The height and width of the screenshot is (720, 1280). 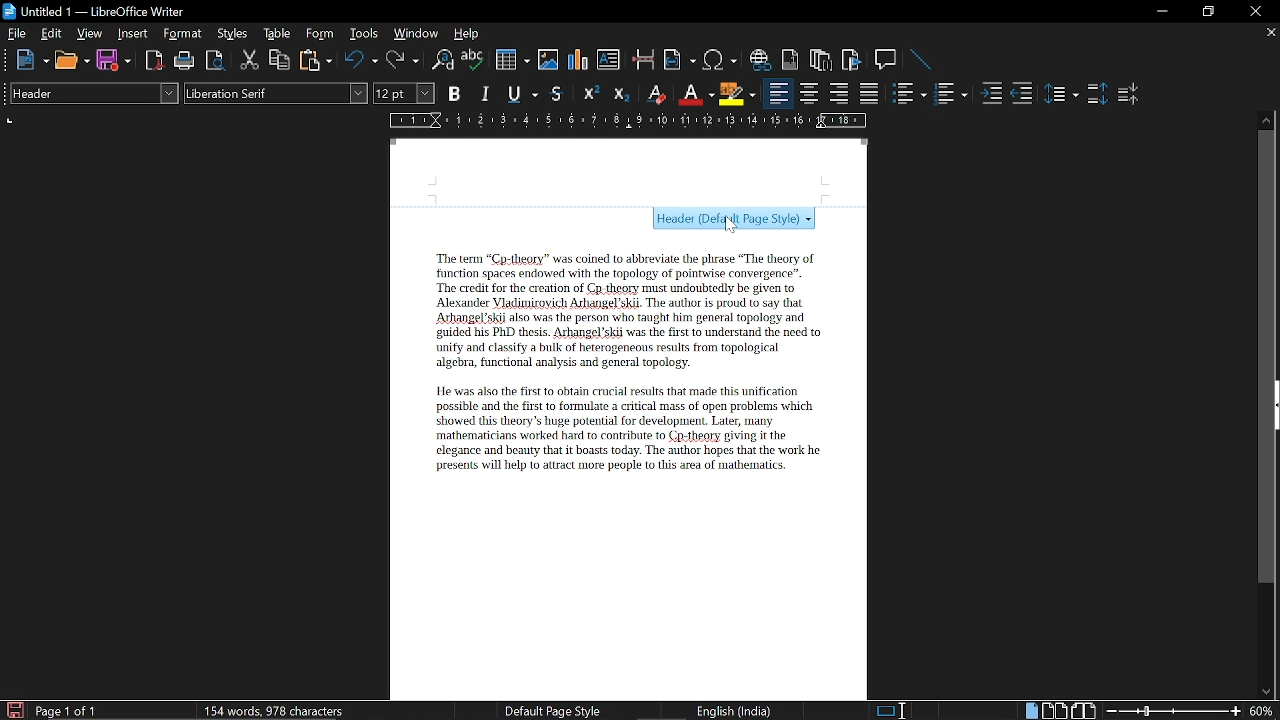 What do you see at coordinates (841, 93) in the screenshot?
I see `Align right` at bounding box center [841, 93].